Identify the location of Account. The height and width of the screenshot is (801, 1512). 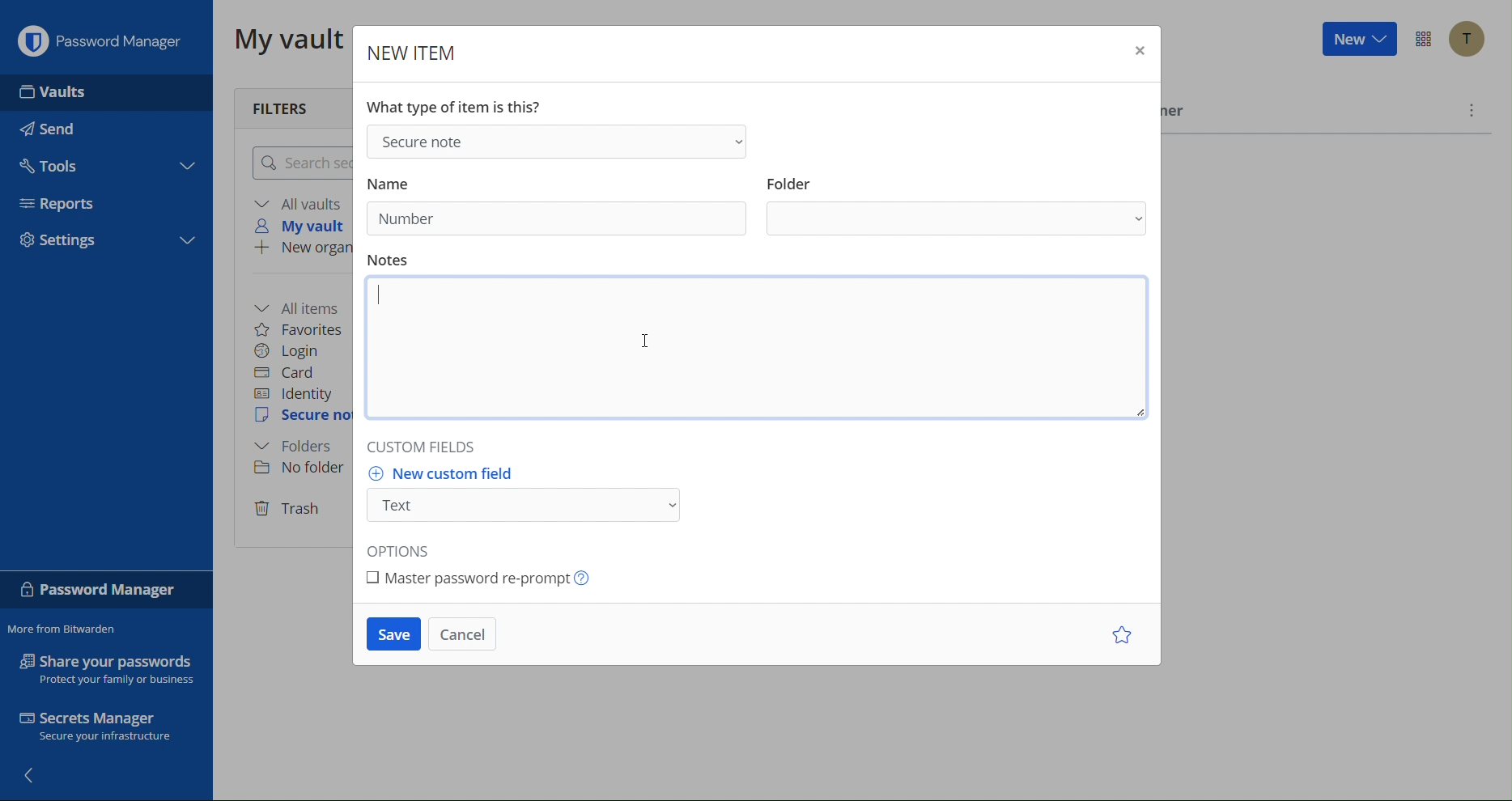
(1466, 39).